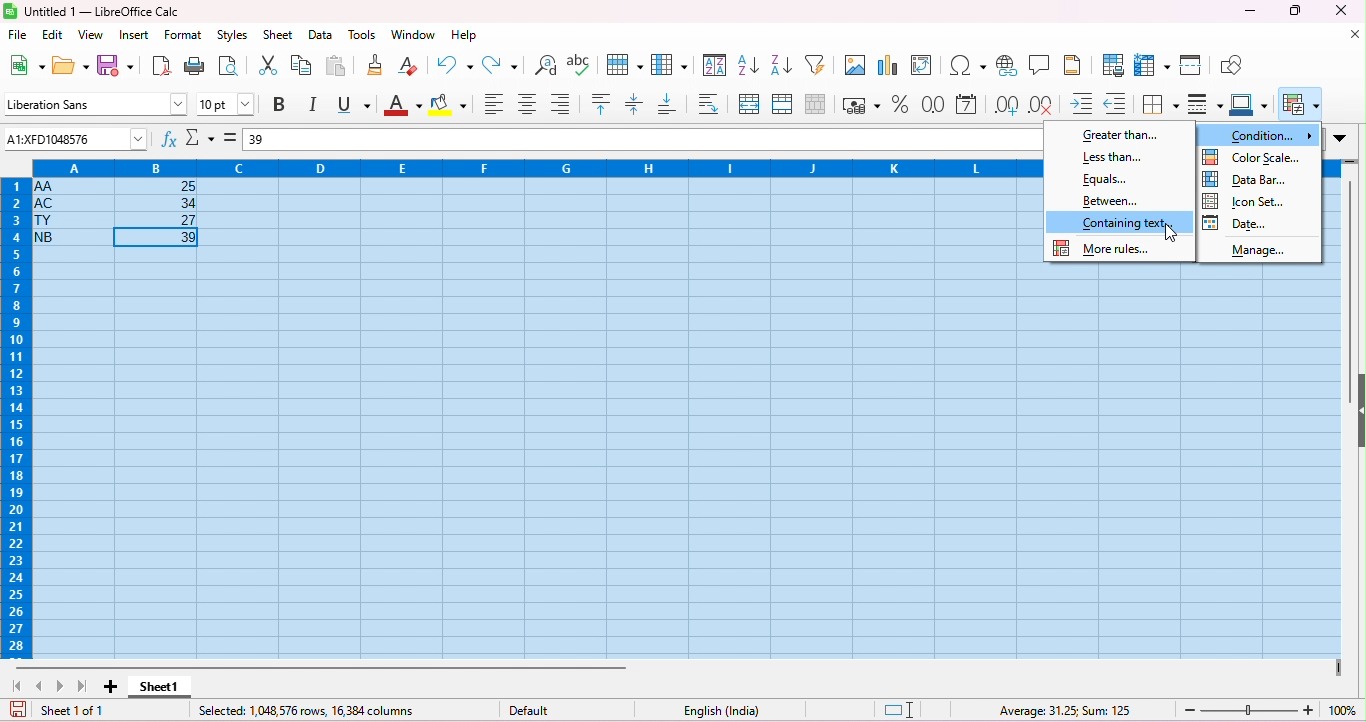 This screenshot has height=722, width=1366. What do you see at coordinates (819, 64) in the screenshot?
I see `filter` at bounding box center [819, 64].